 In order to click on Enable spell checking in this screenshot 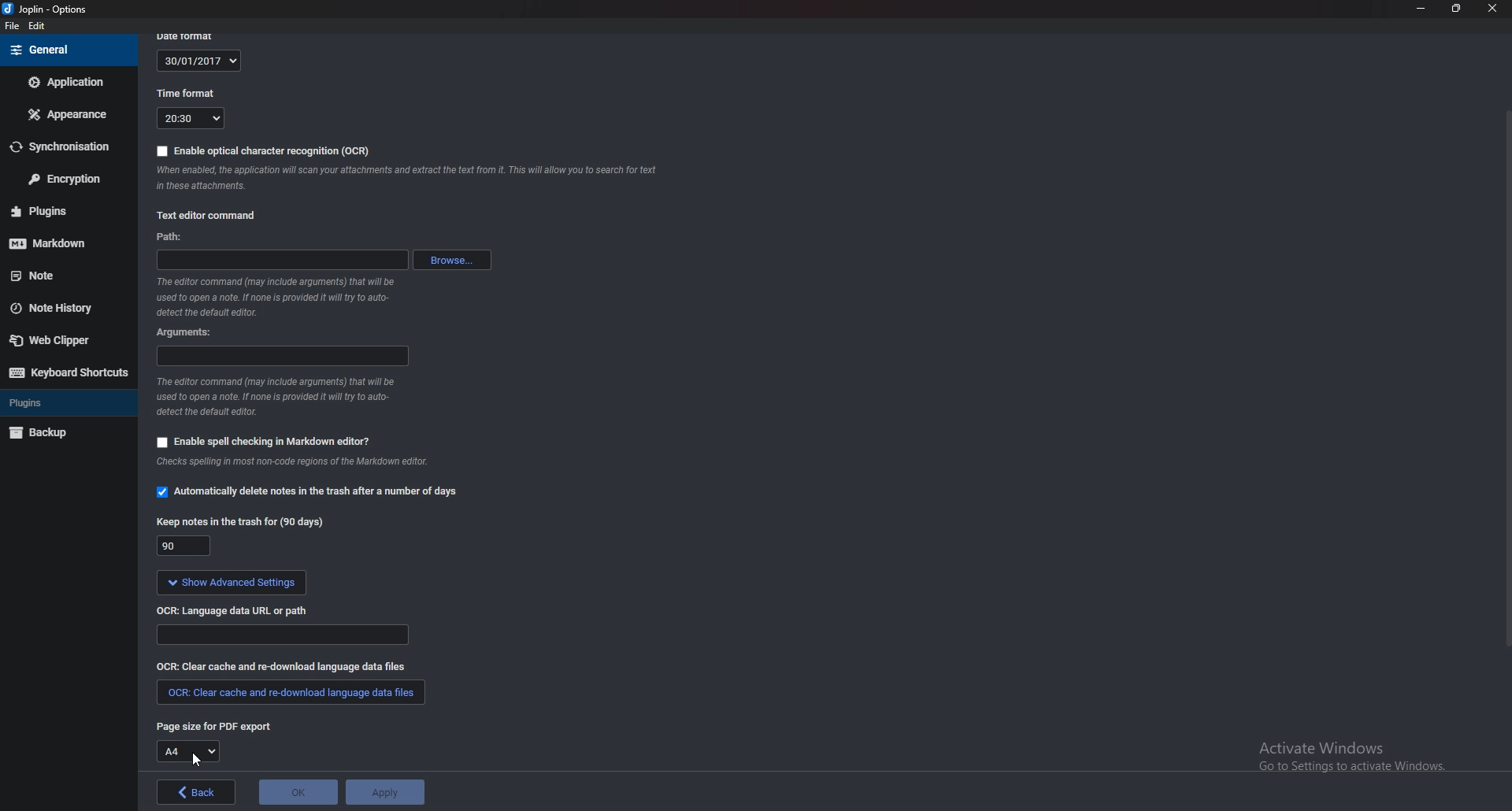, I will do `click(264, 442)`.